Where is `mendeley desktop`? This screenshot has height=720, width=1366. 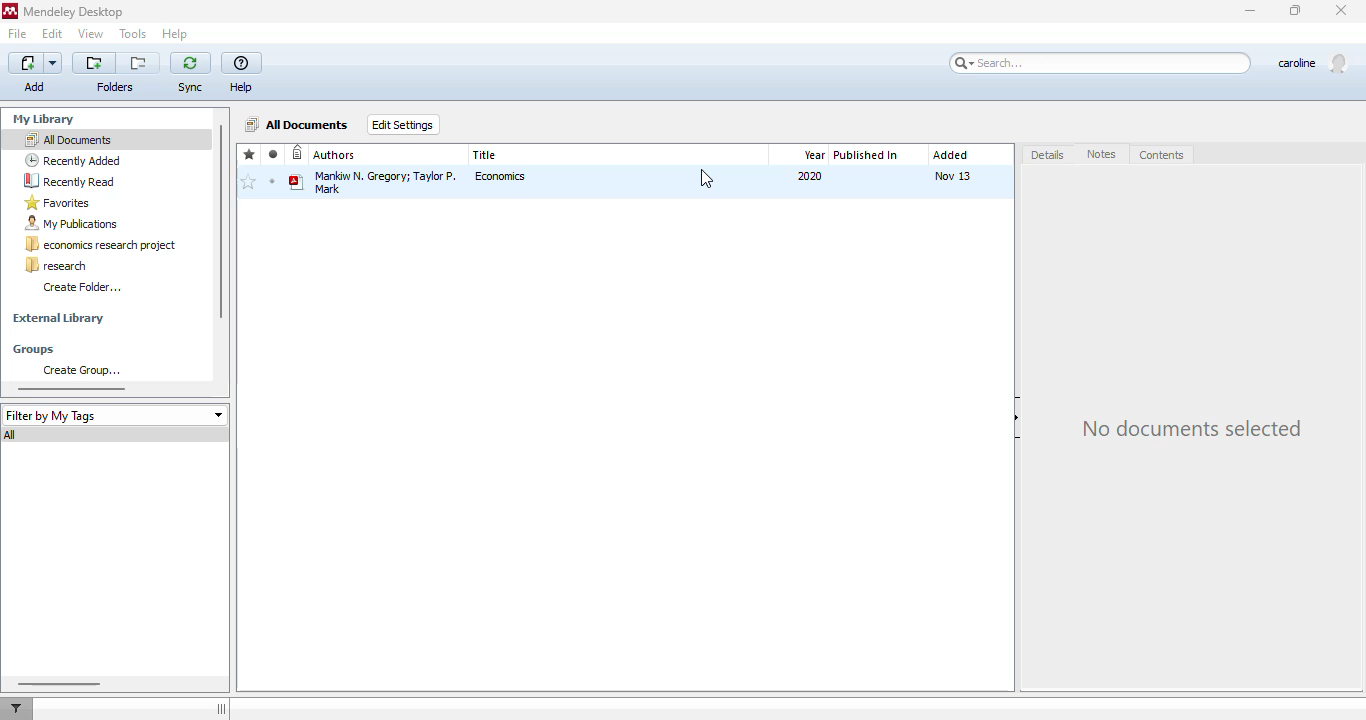 mendeley desktop is located at coordinates (75, 13).